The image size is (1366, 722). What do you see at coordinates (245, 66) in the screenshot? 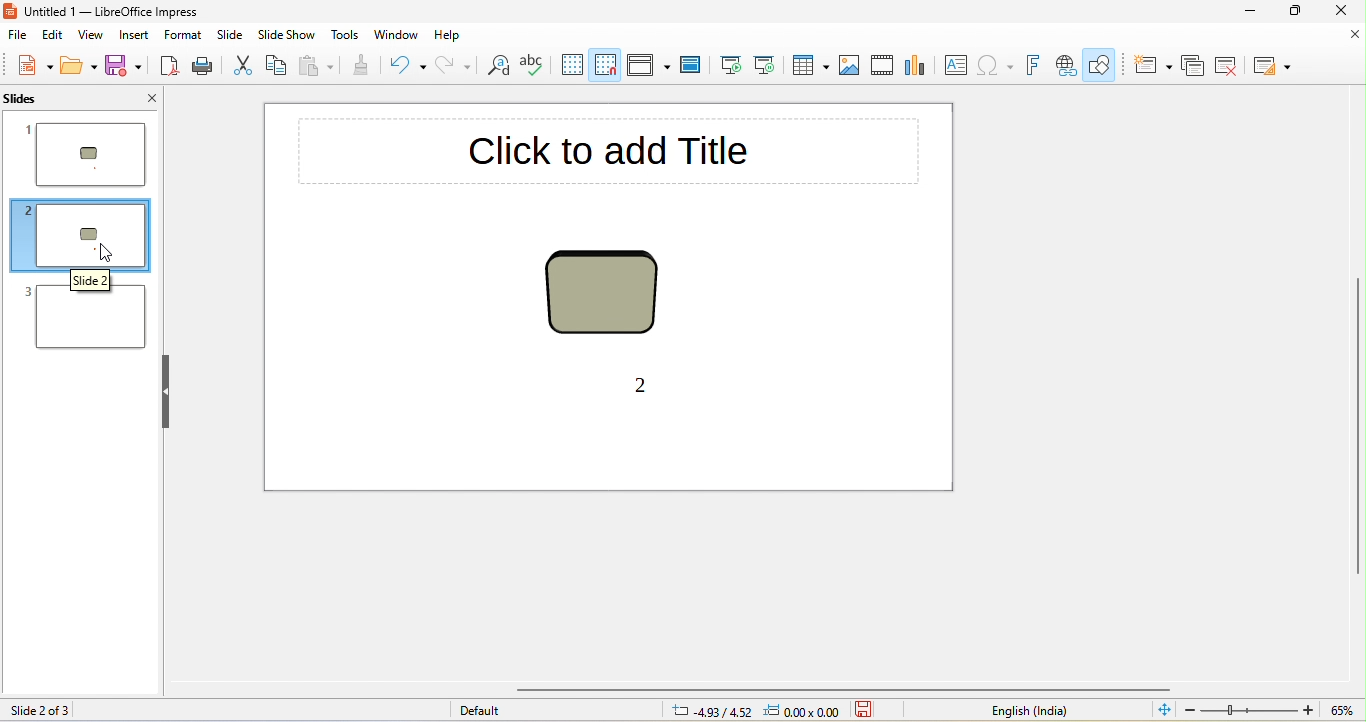
I see `cut` at bounding box center [245, 66].